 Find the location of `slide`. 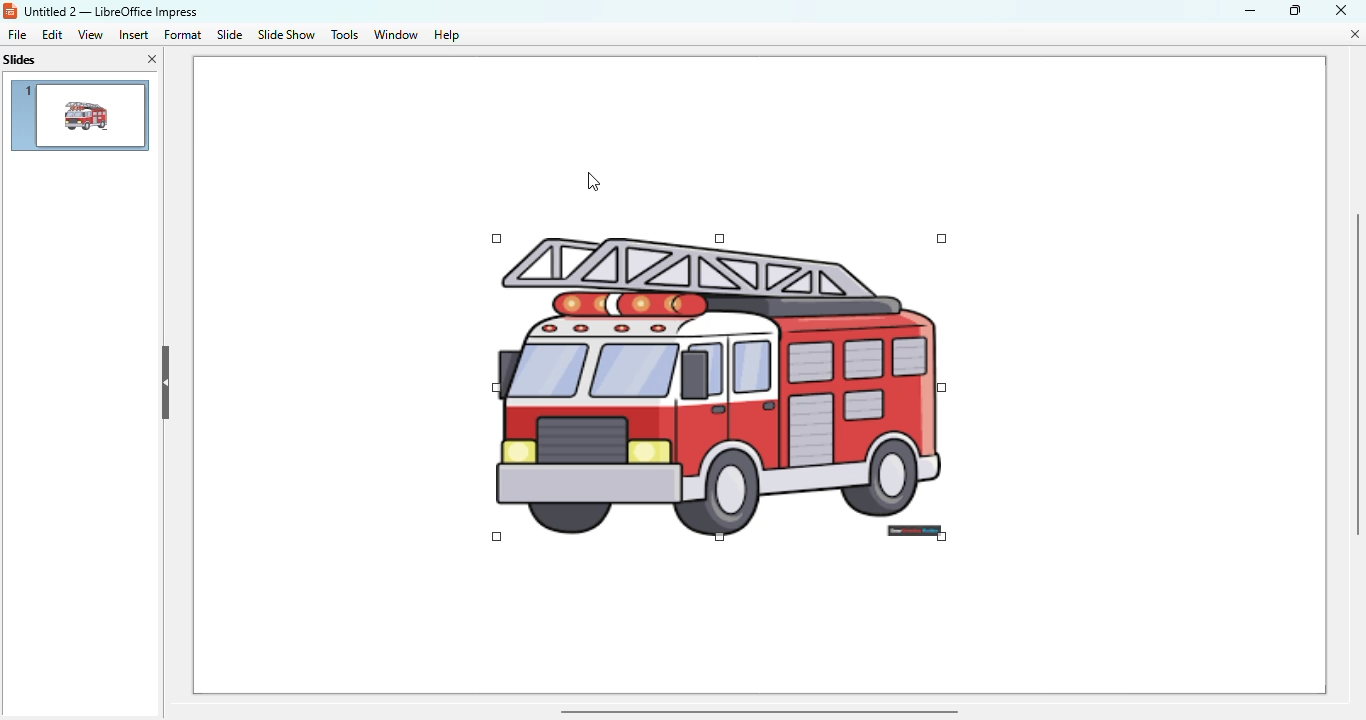

slide is located at coordinates (231, 35).